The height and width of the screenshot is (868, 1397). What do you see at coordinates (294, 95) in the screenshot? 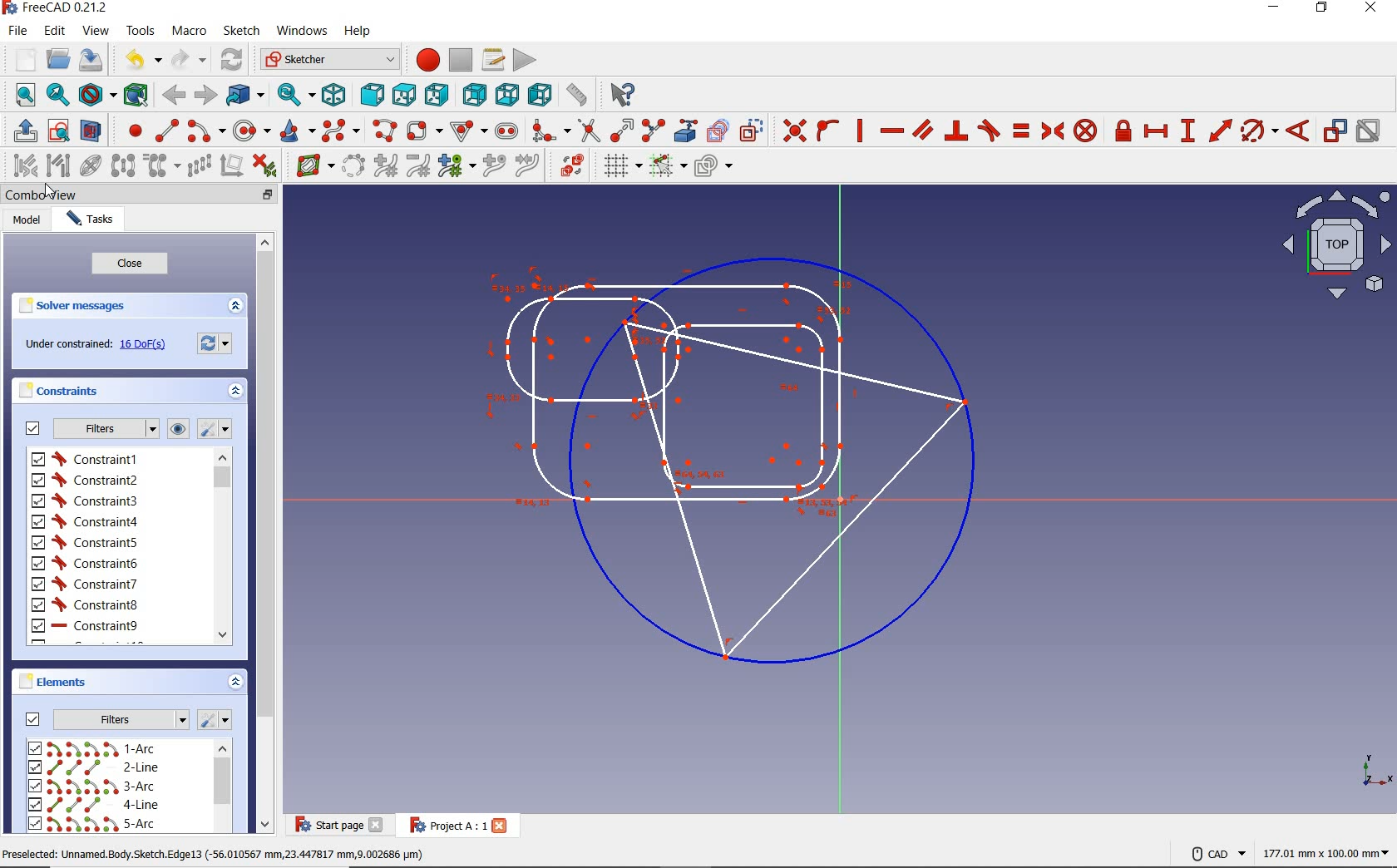
I see `sync view` at bounding box center [294, 95].